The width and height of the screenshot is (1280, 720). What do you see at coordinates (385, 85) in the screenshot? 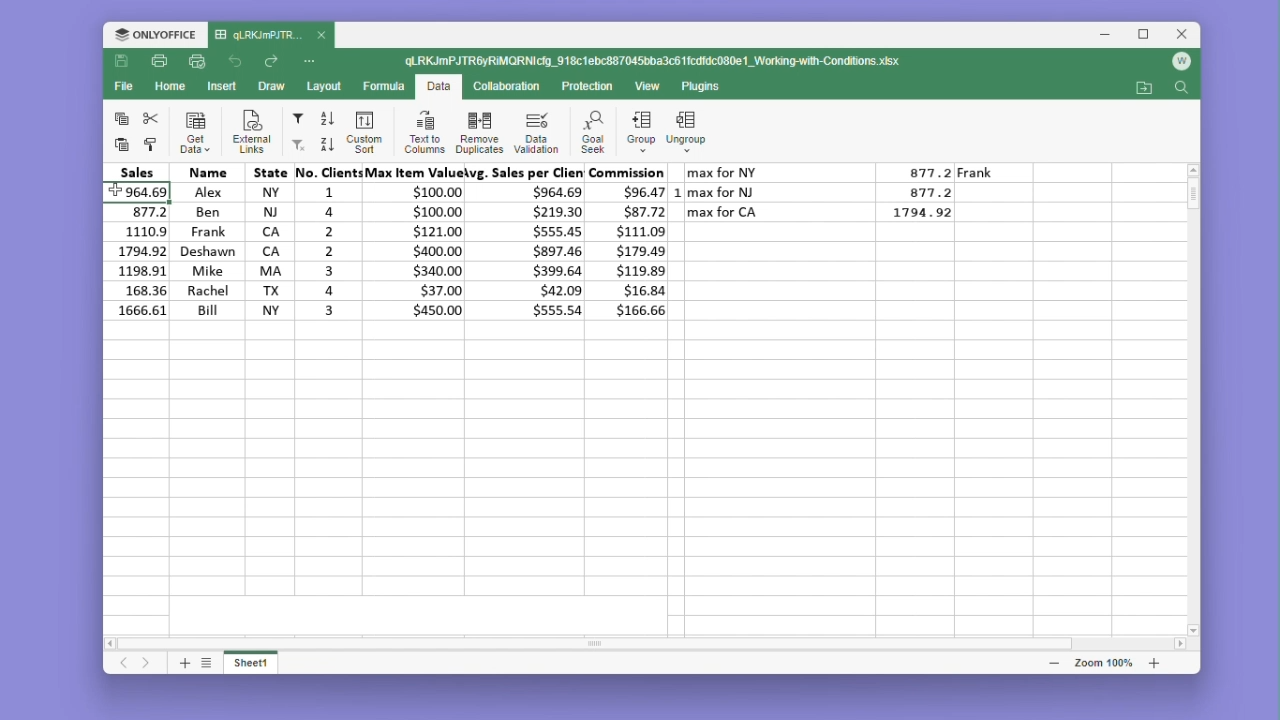
I see `Formula` at bounding box center [385, 85].